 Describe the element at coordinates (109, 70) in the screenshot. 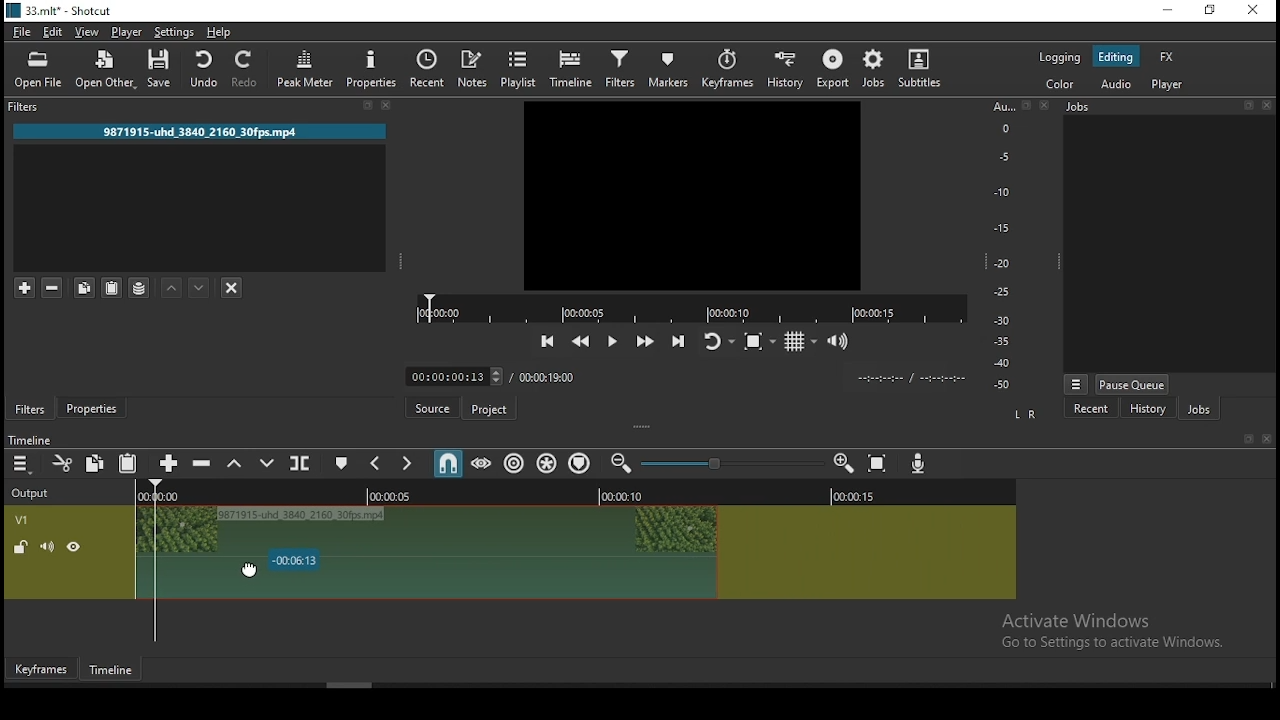

I see `open other` at that location.